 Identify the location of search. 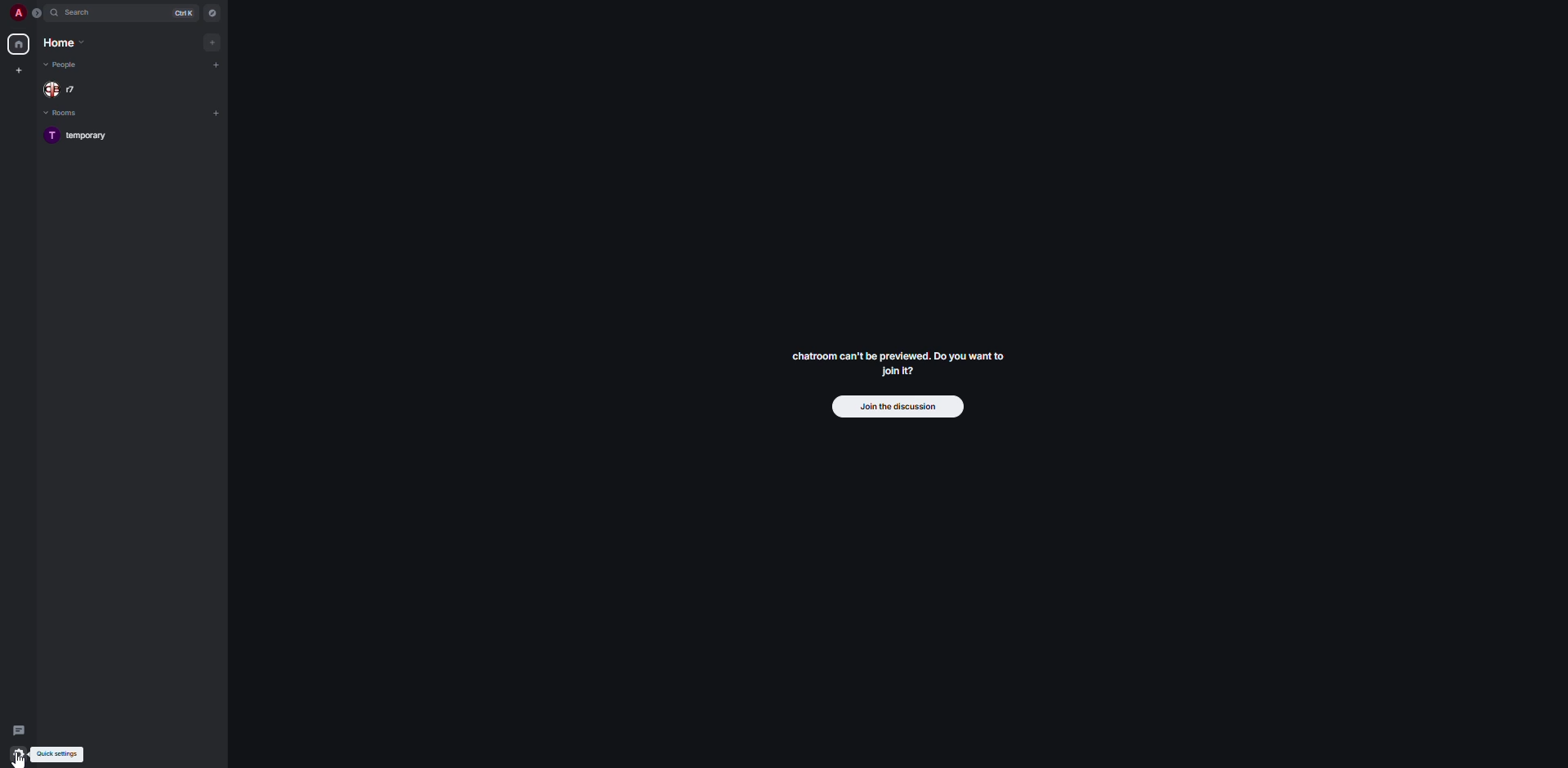
(82, 13).